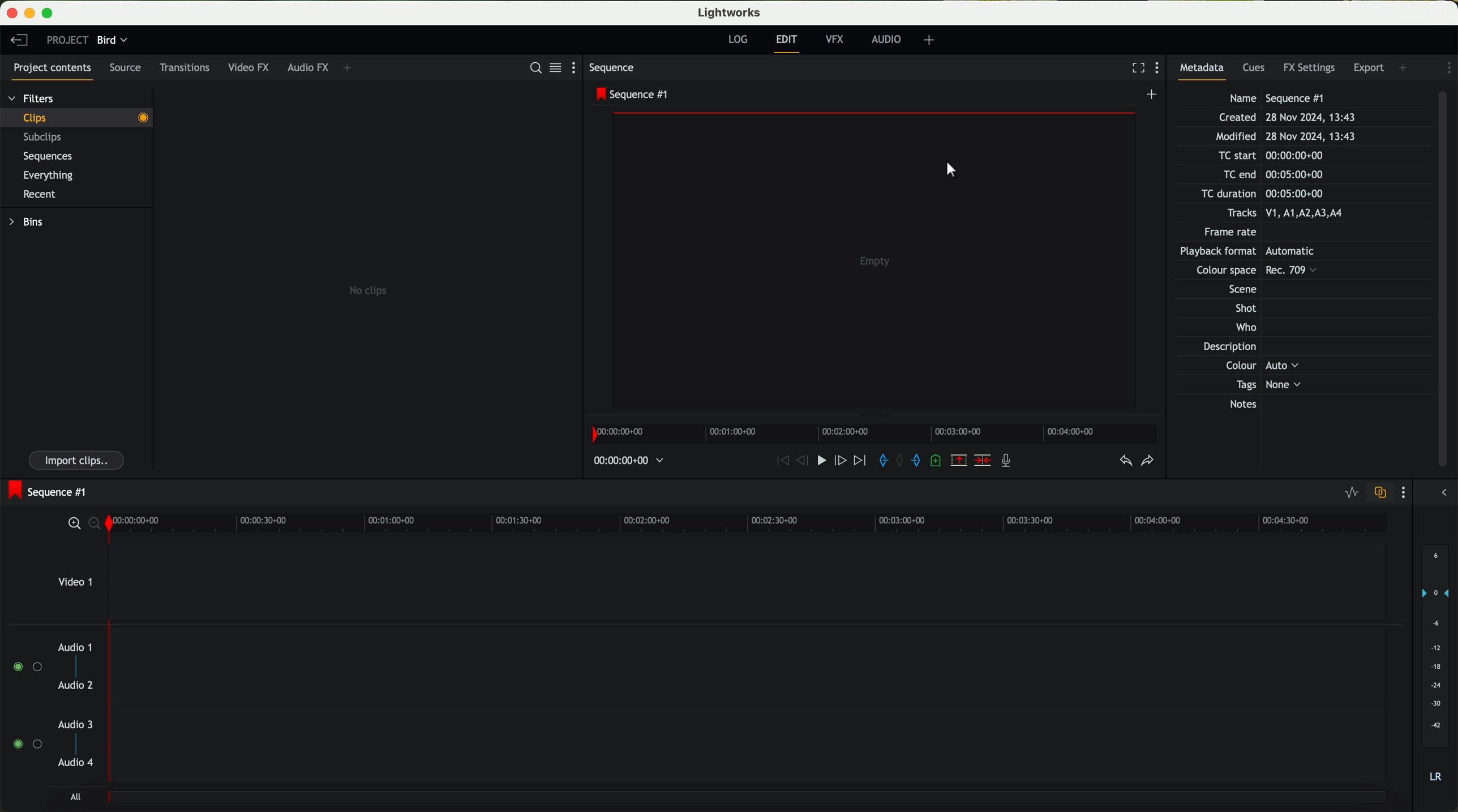 The width and height of the screenshot is (1458, 812). What do you see at coordinates (748, 523) in the screenshot?
I see `timeline` at bounding box center [748, 523].